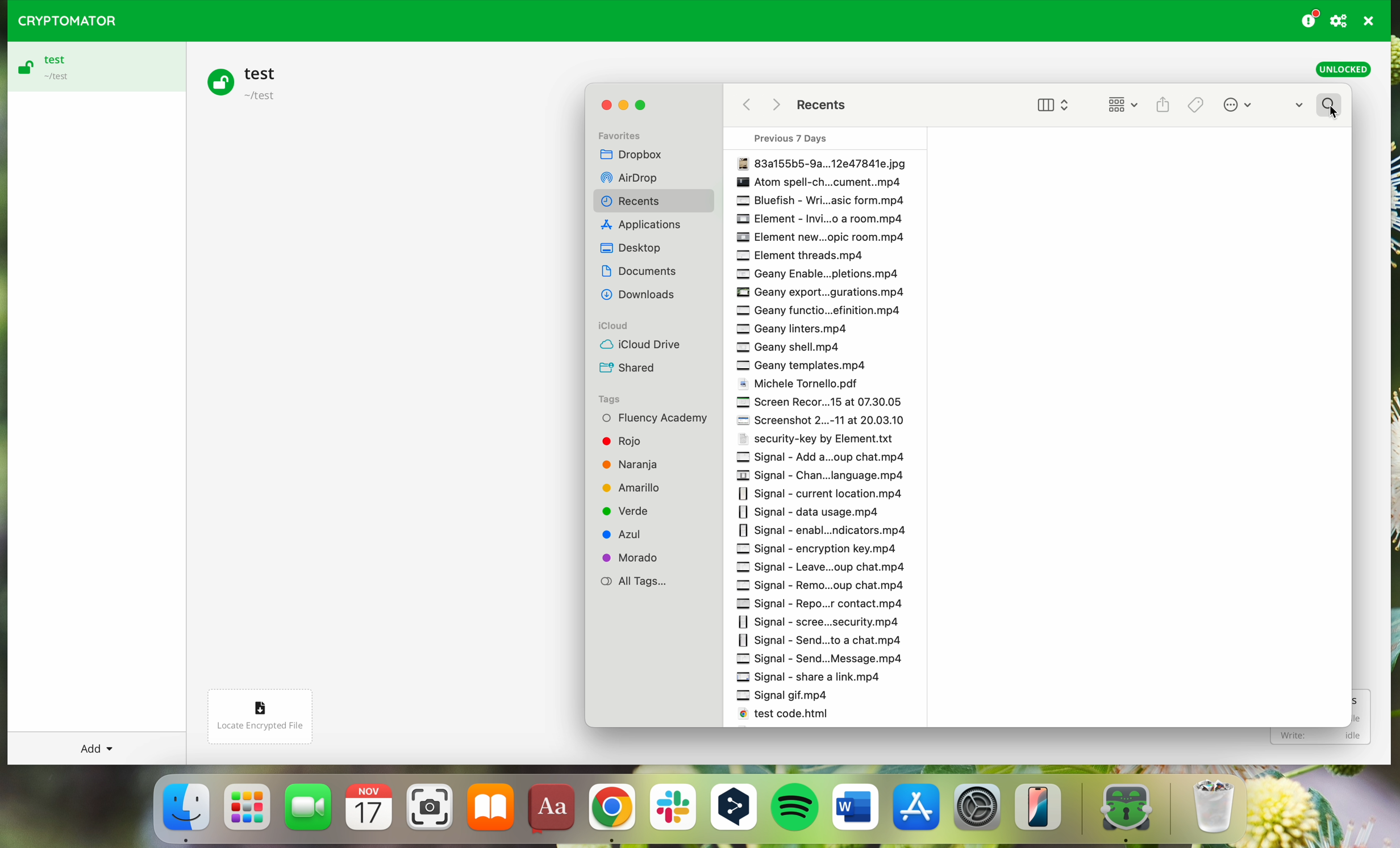  Describe the element at coordinates (918, 811) in the screenshot. I see `Appstore` at that location.